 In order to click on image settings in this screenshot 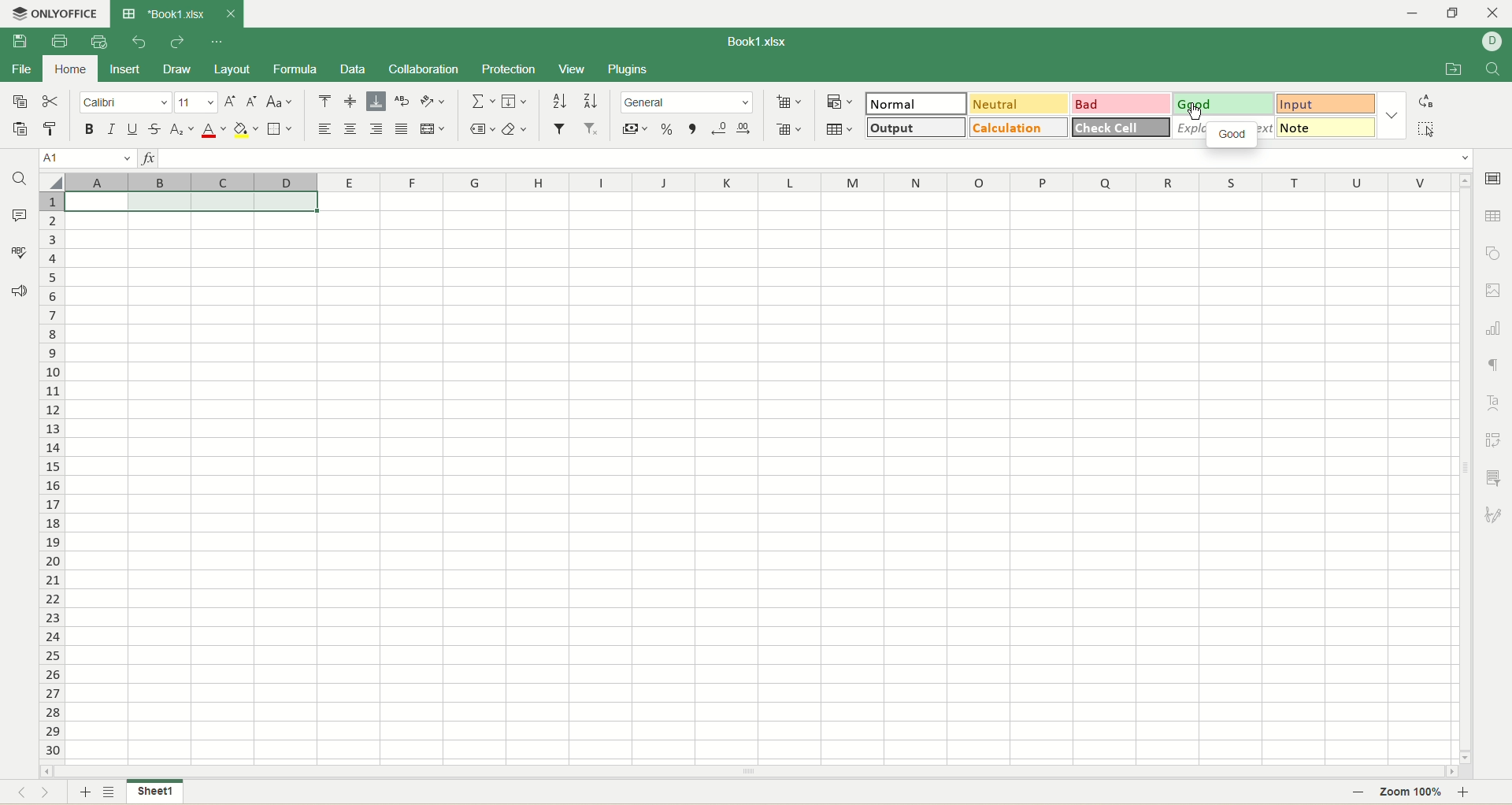, I will do `click(1495, 290)`.